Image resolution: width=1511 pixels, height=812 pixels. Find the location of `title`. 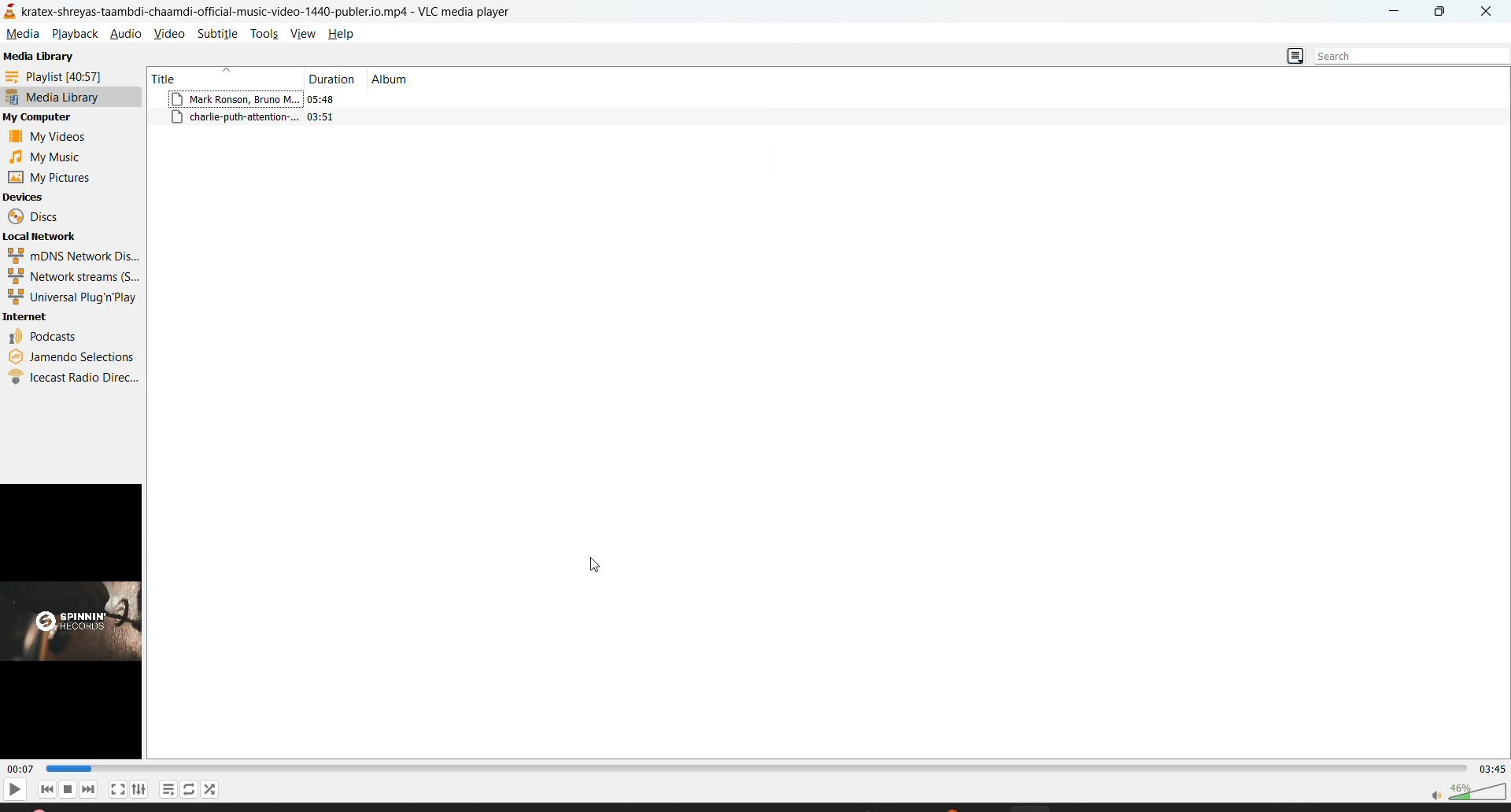

title is located at coordinates (170, 77).